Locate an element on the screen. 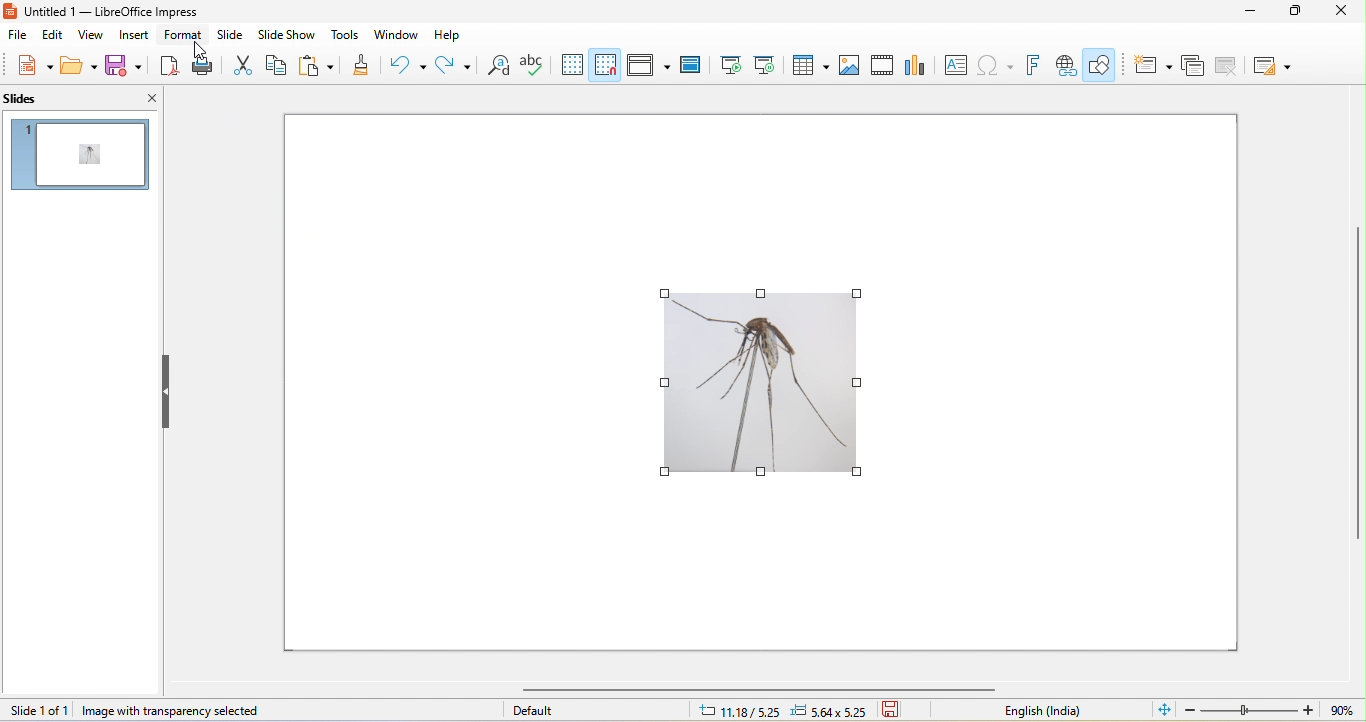 The image size is (1366, 722). image is located at coordinates (761, 384).